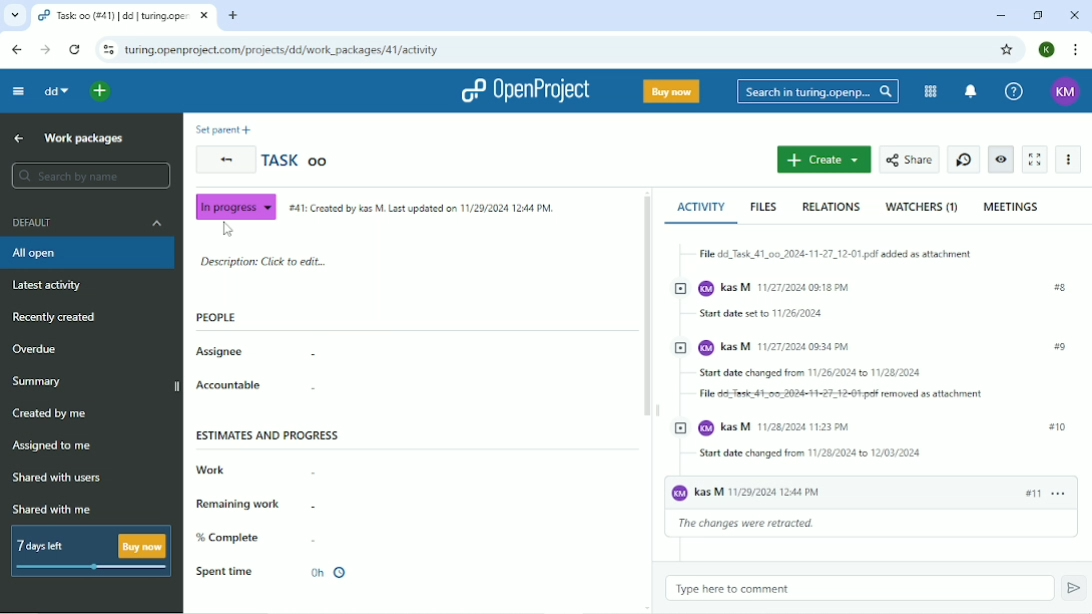 The height and width of the screenshot is (614, 1092). Describe the element at coordinates (925, 207) in the screenshot. I see `Watchers` at that location.